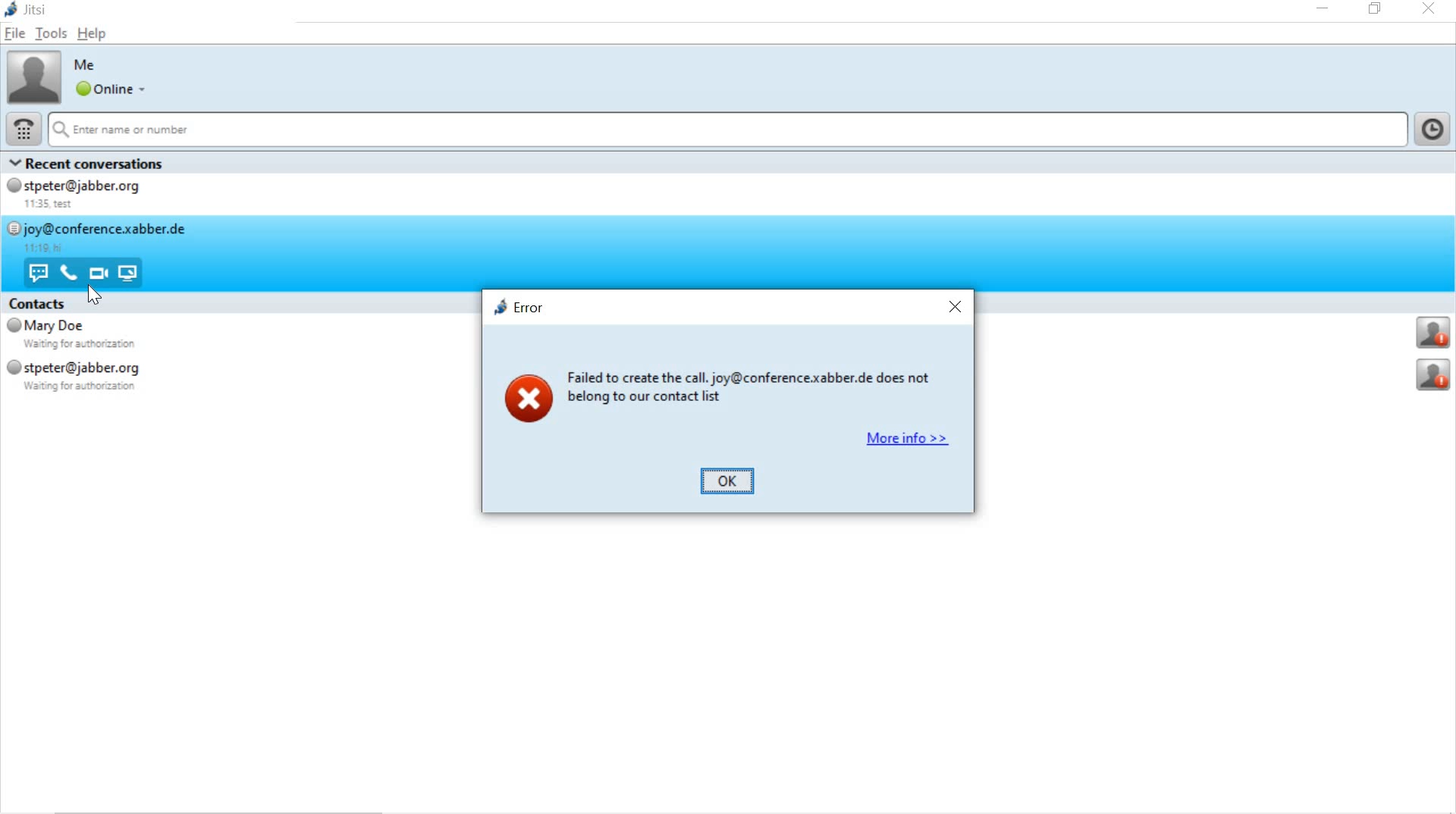 This screenshot has width=1456, height=814. I want to click on ok, so click(730, 481).